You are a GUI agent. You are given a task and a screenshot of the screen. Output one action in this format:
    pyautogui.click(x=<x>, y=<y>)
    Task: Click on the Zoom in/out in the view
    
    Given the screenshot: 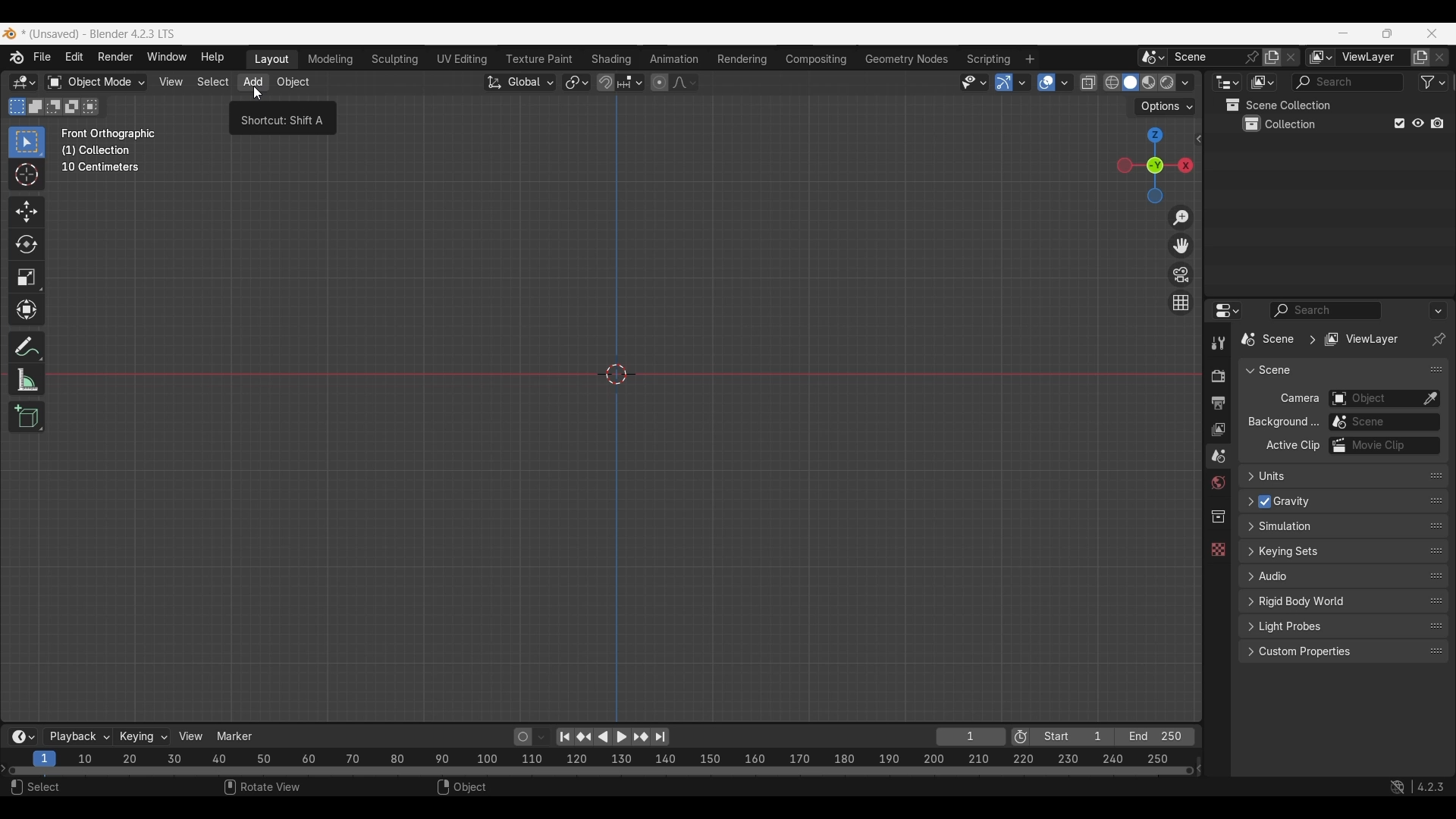 What is the action you would take?
    pyautogui.click(x=1180, y=218)
    